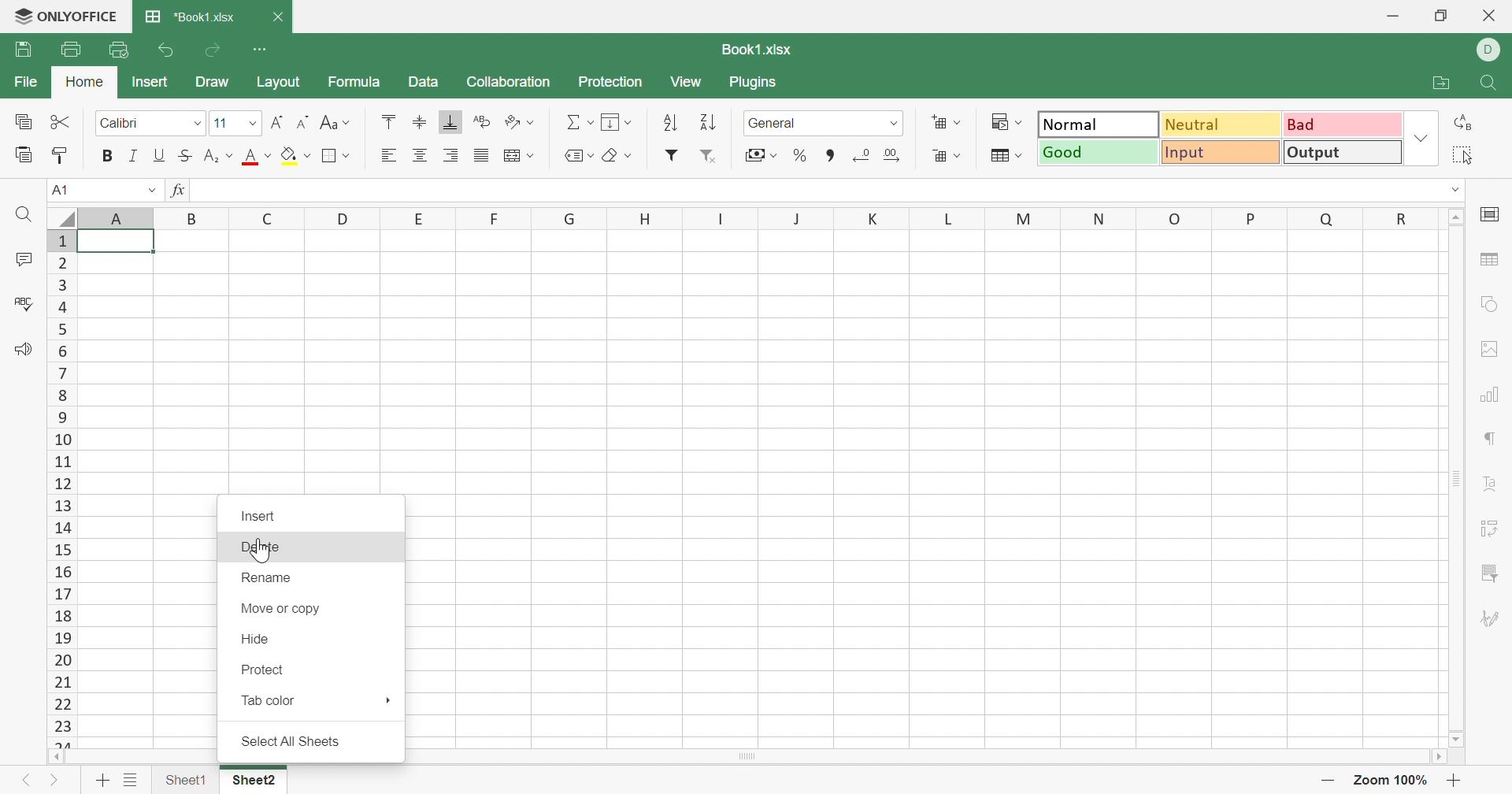 The image size is (1512, 794). I want to click on Select all, so click(1465, 153).